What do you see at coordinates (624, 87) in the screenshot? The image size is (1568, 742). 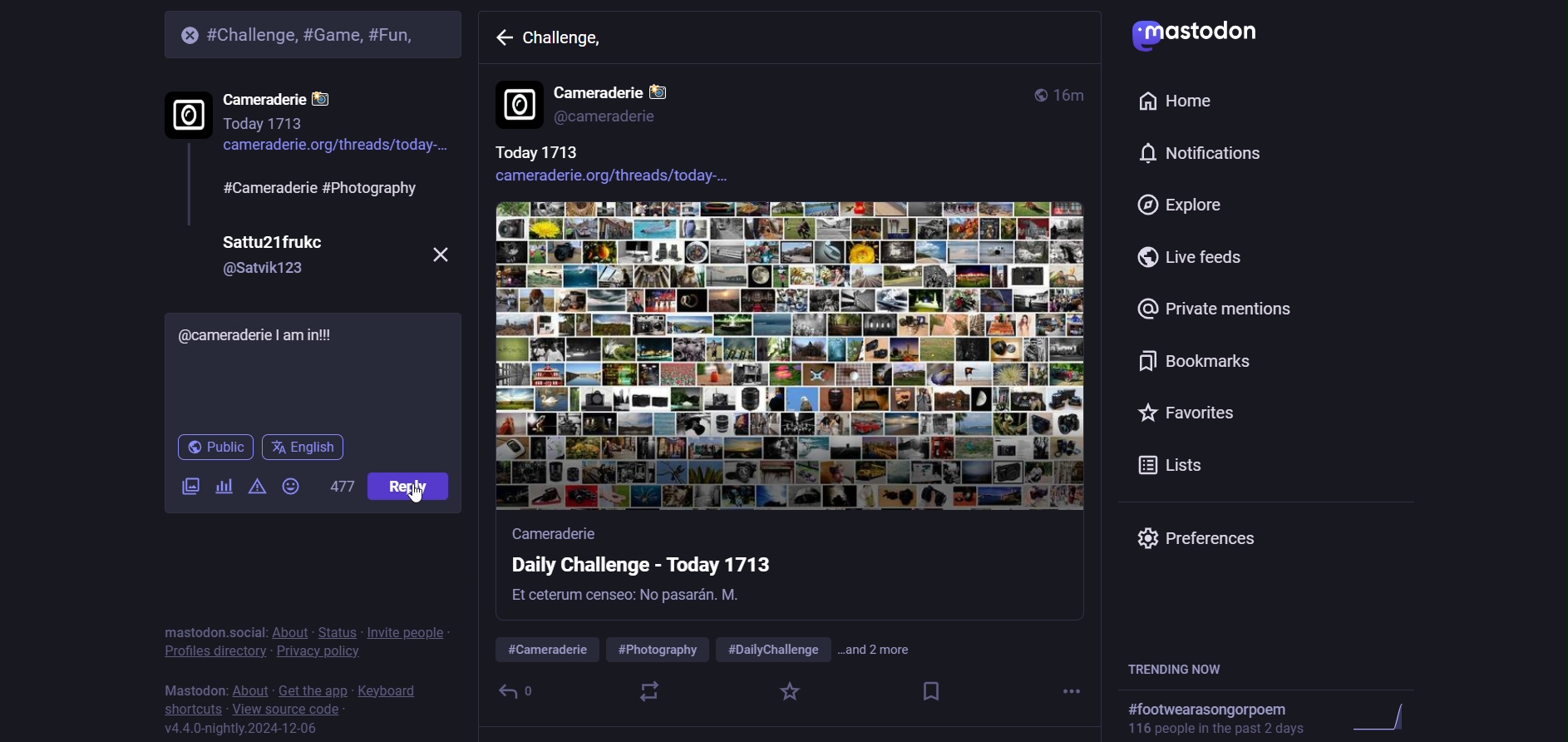 I see `Cameraderie` at bounding box center [624, 87].